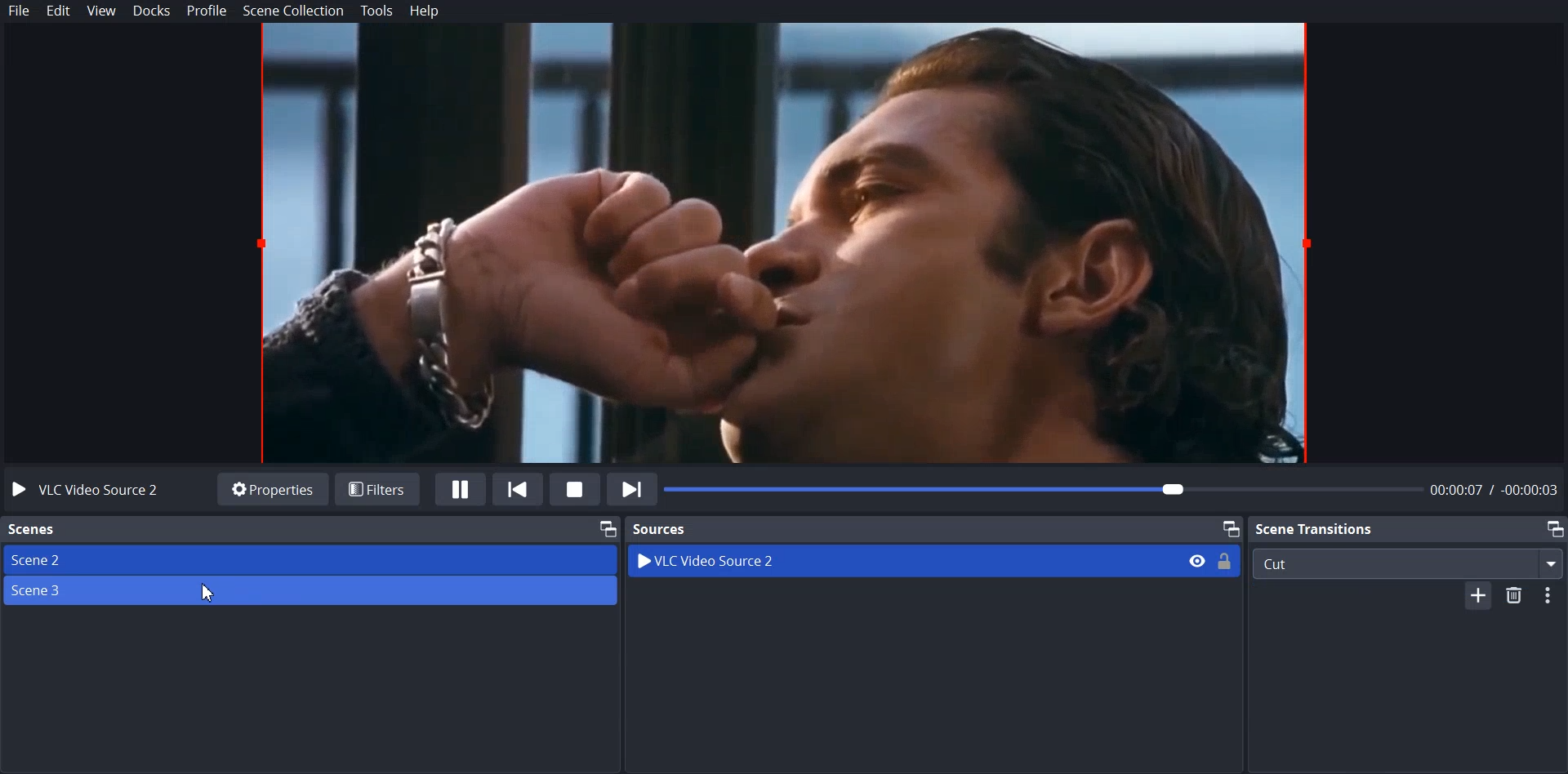 The height and width of the screenshot is (774, 1568). Describe the element at coordinates (310, 559) in the screenshot. I see `Source 2` at that location.